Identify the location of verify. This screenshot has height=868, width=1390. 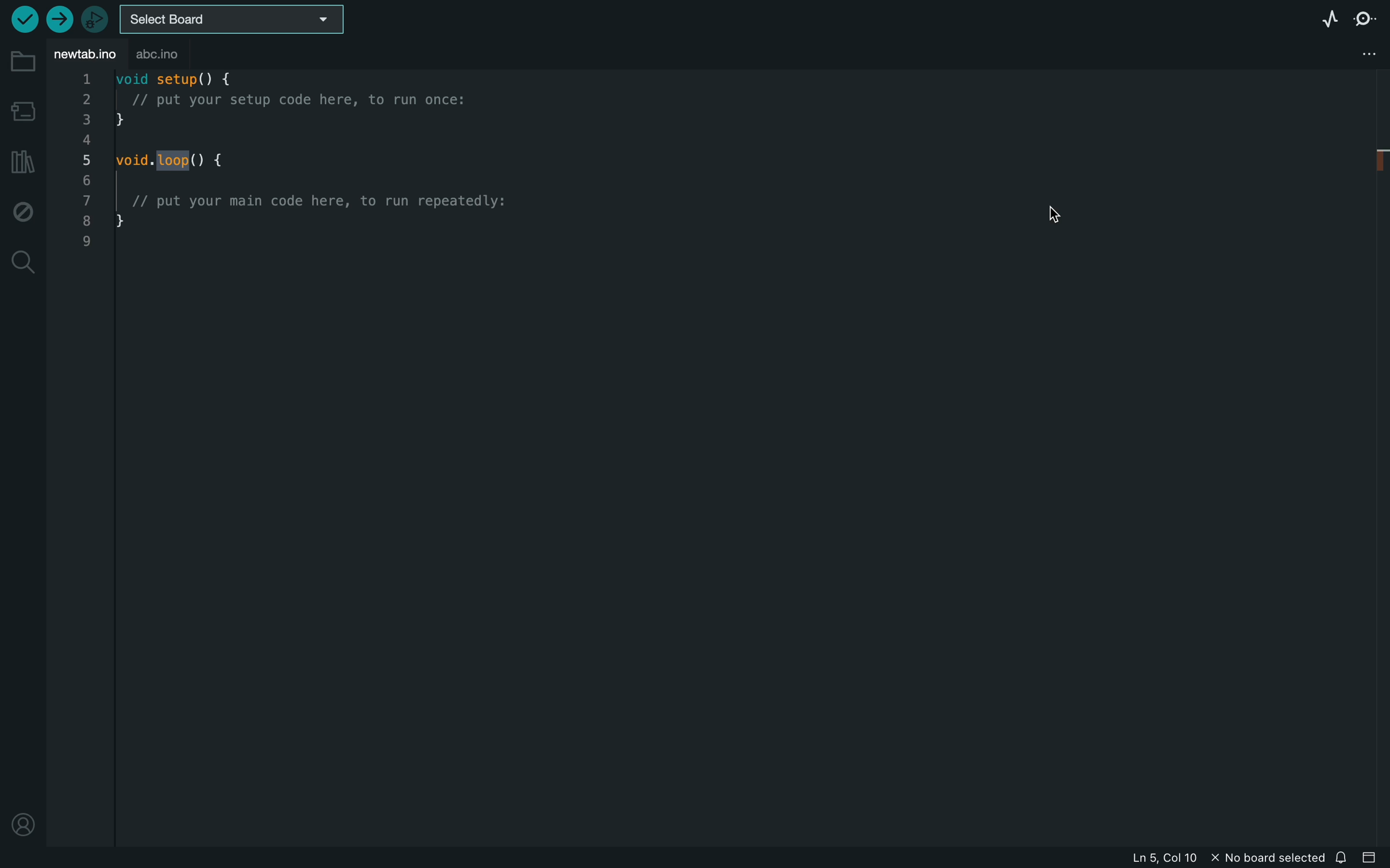
(27, 19).